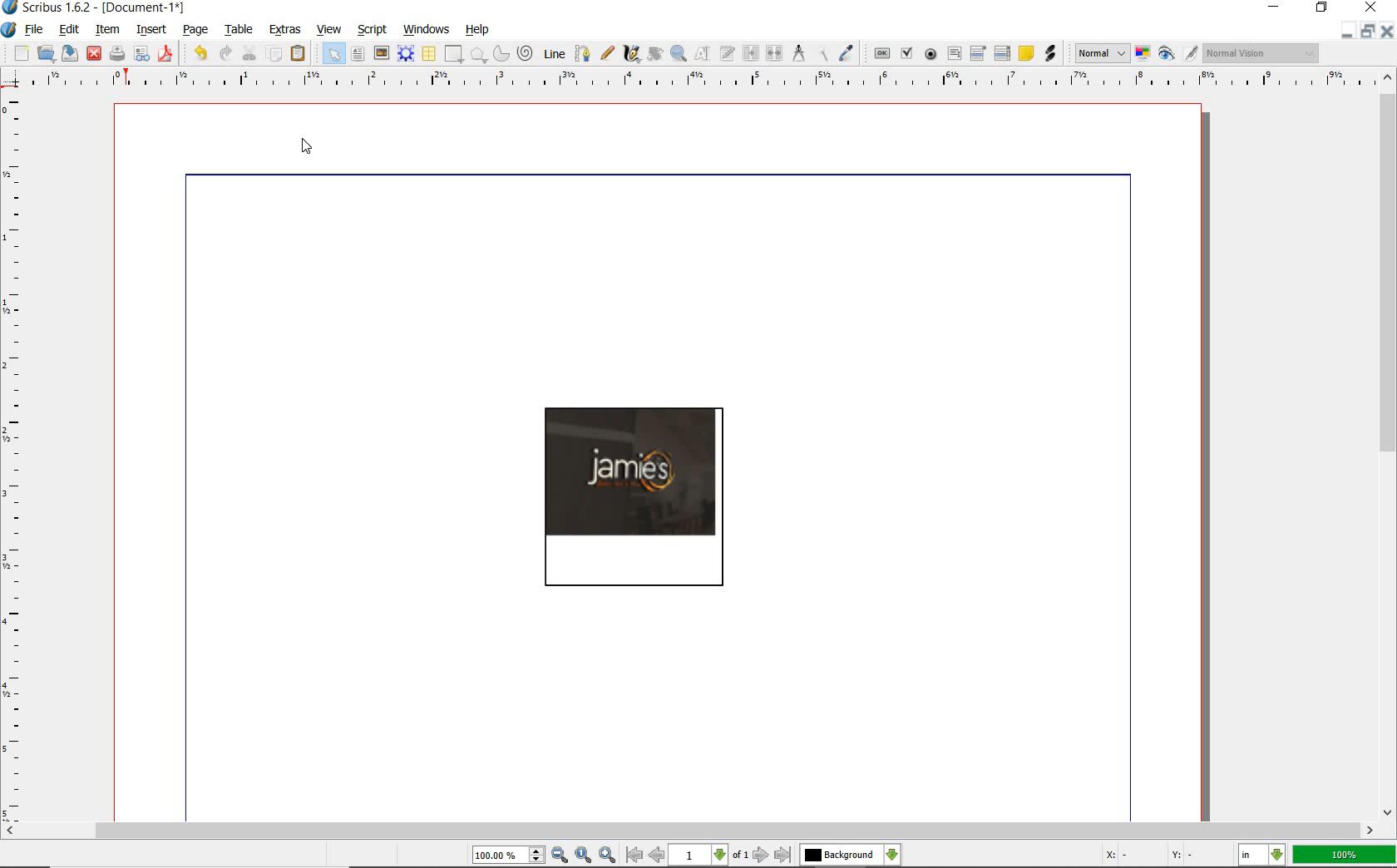 This screenshot has height=868, width=1397. I want to click on save, so click(72, 52).